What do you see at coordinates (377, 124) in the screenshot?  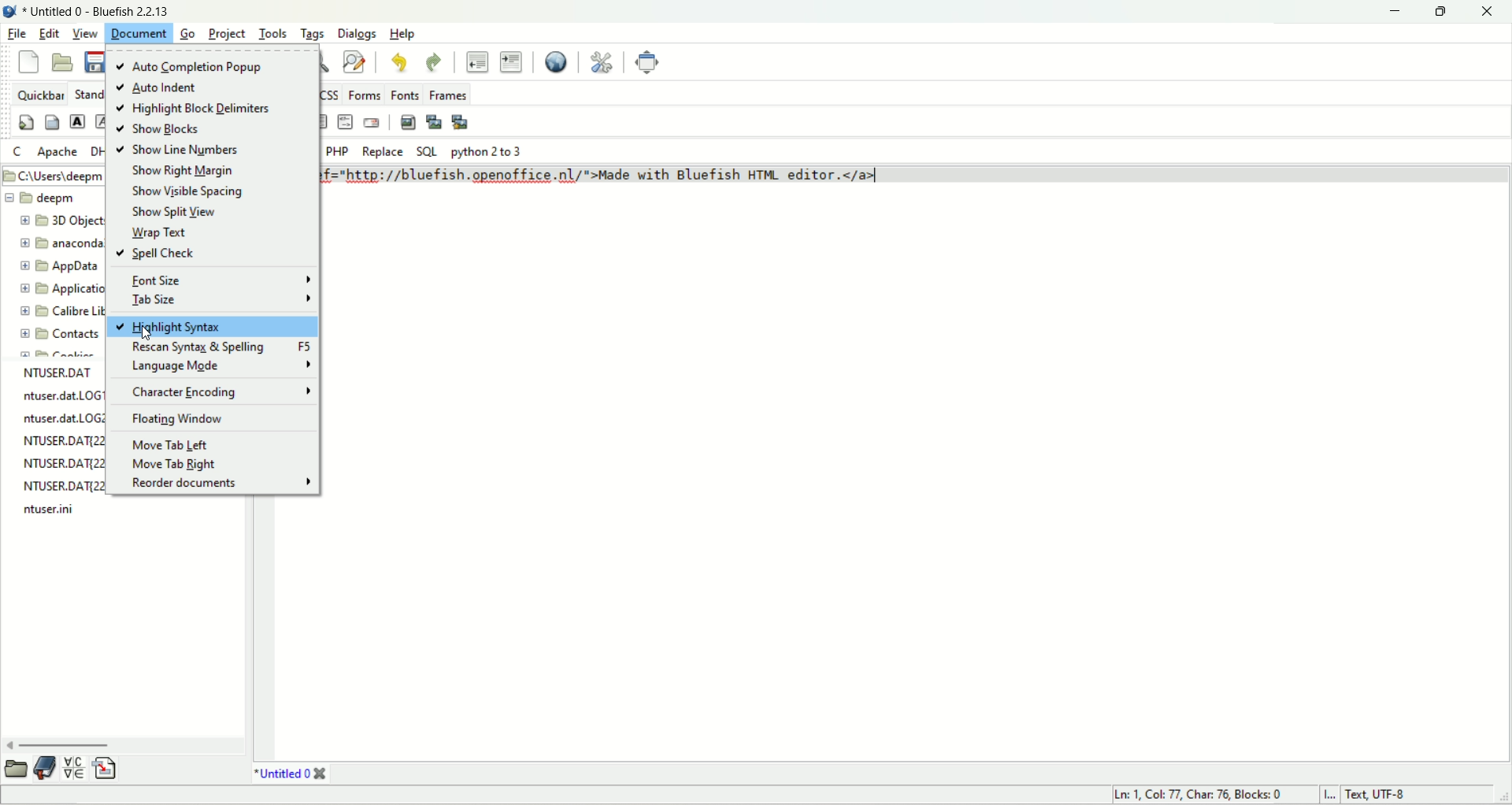 I see `email` at bounding box center [377, 124].